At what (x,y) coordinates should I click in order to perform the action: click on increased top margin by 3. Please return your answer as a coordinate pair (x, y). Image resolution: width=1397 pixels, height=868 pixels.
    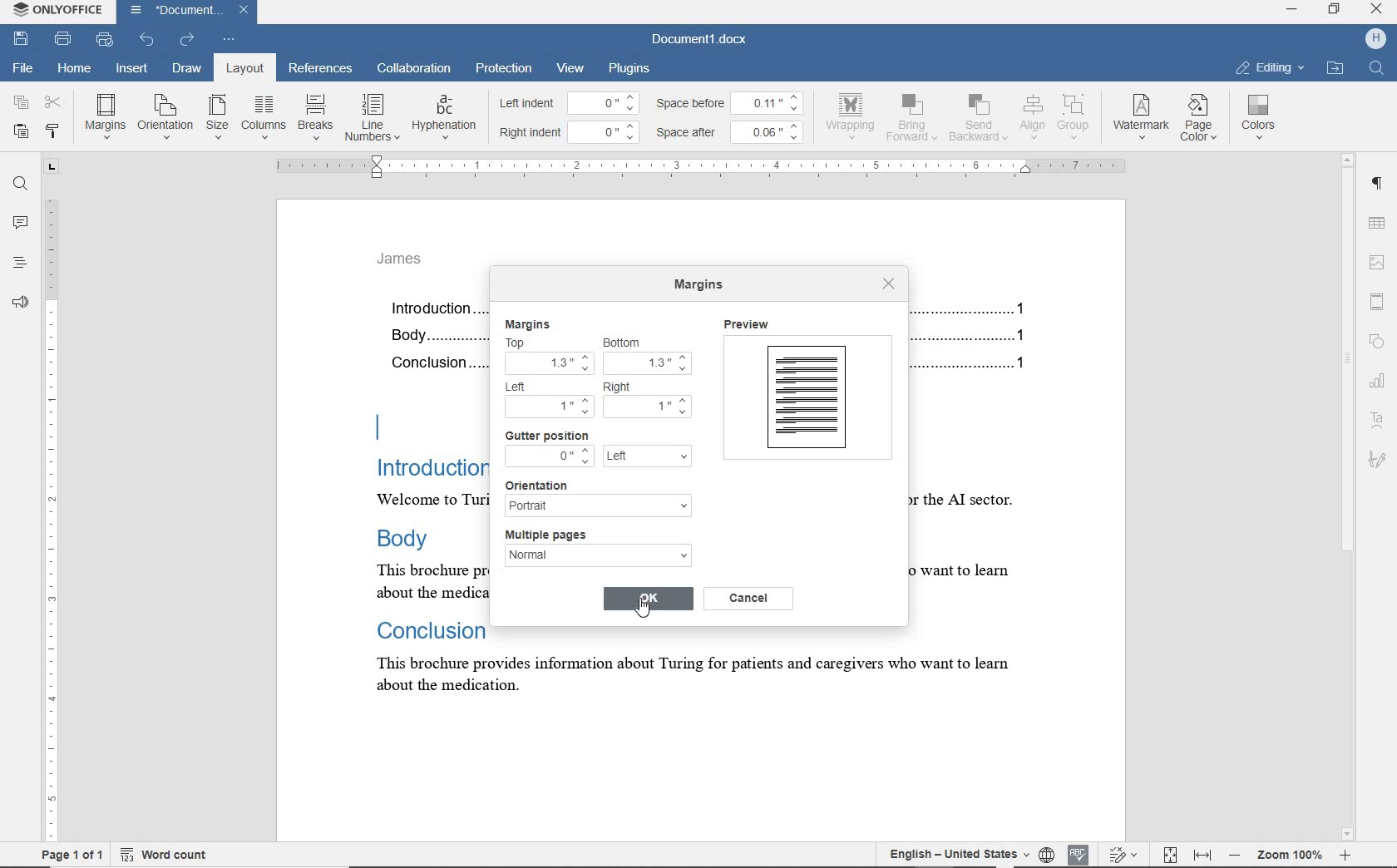
    Looking at the image, I should click on (552, 362).